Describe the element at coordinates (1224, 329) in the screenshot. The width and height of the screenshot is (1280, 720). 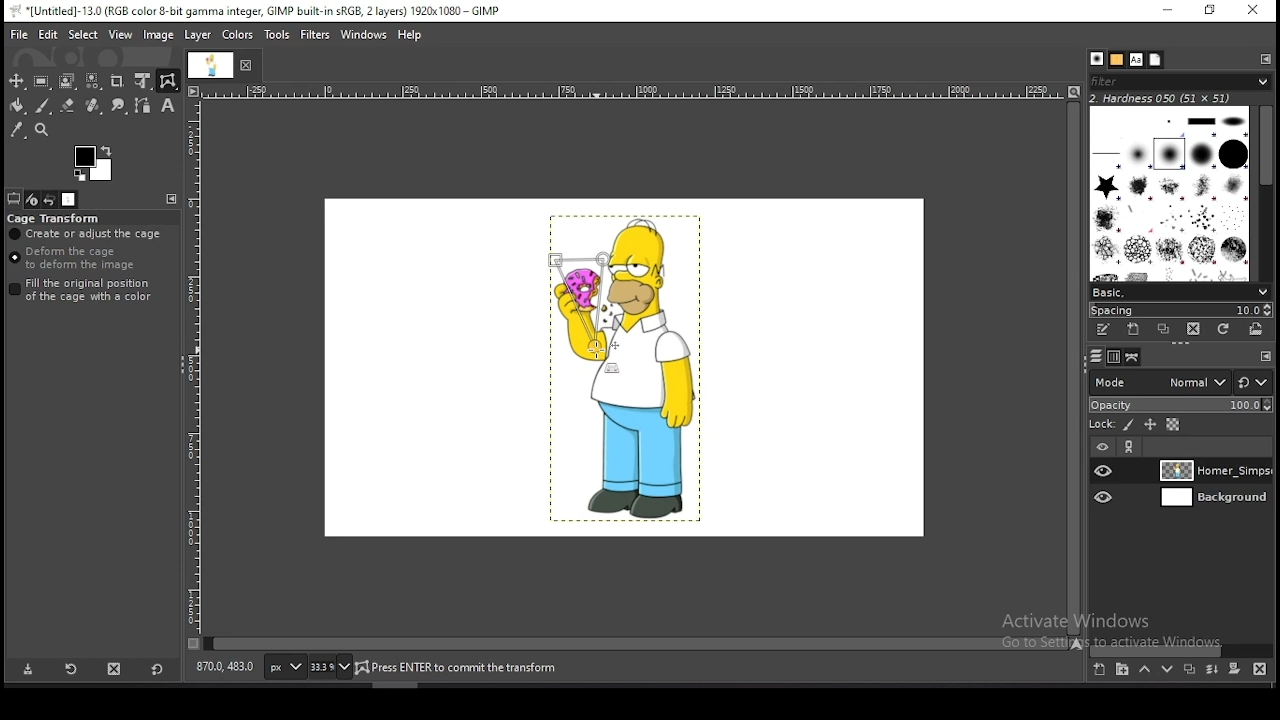
I see `refresh brushes` at that location.